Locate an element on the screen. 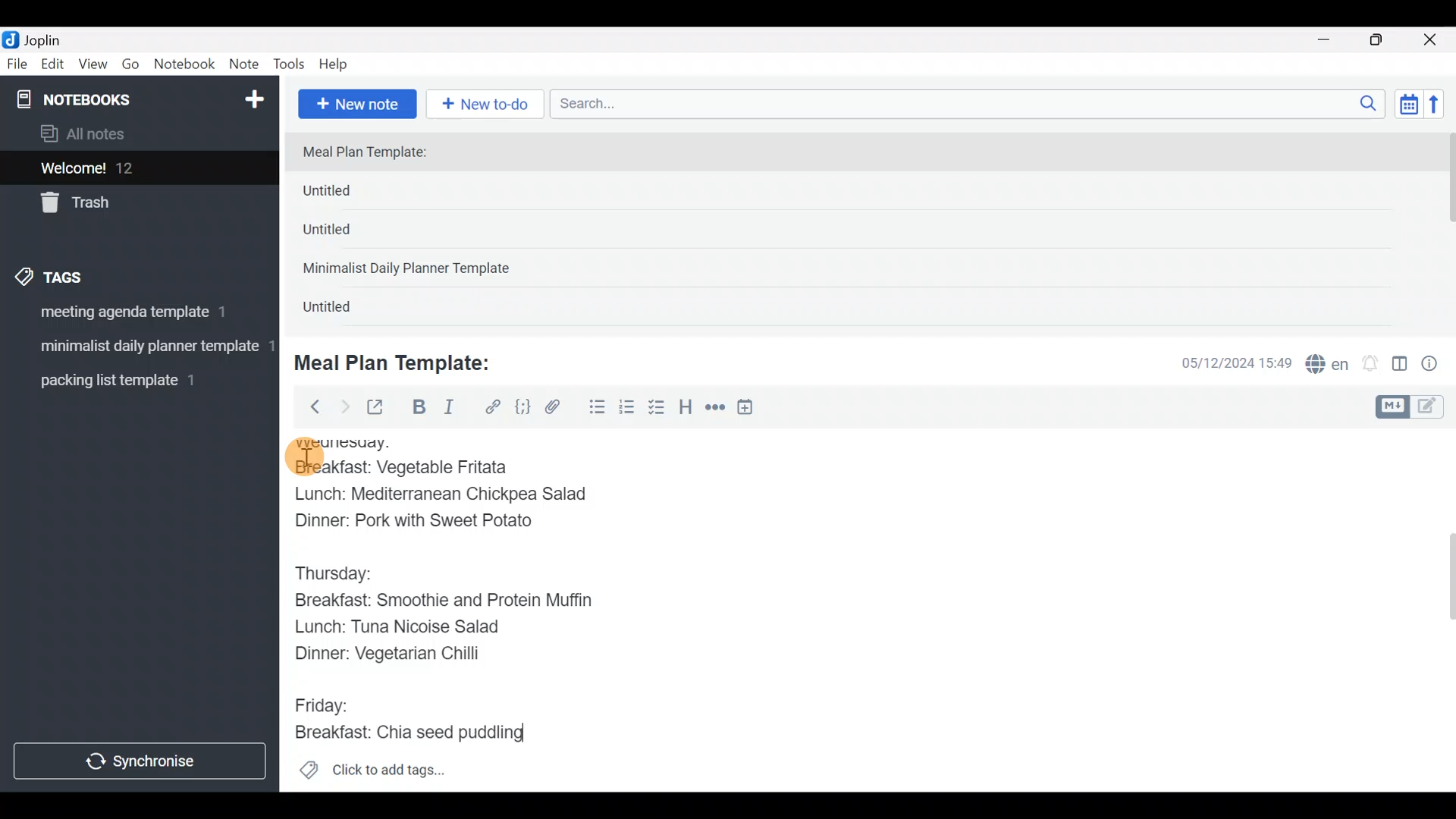 The height and width of the screenshot is (819, 1456). Tools is located at coordinates (290, 65).